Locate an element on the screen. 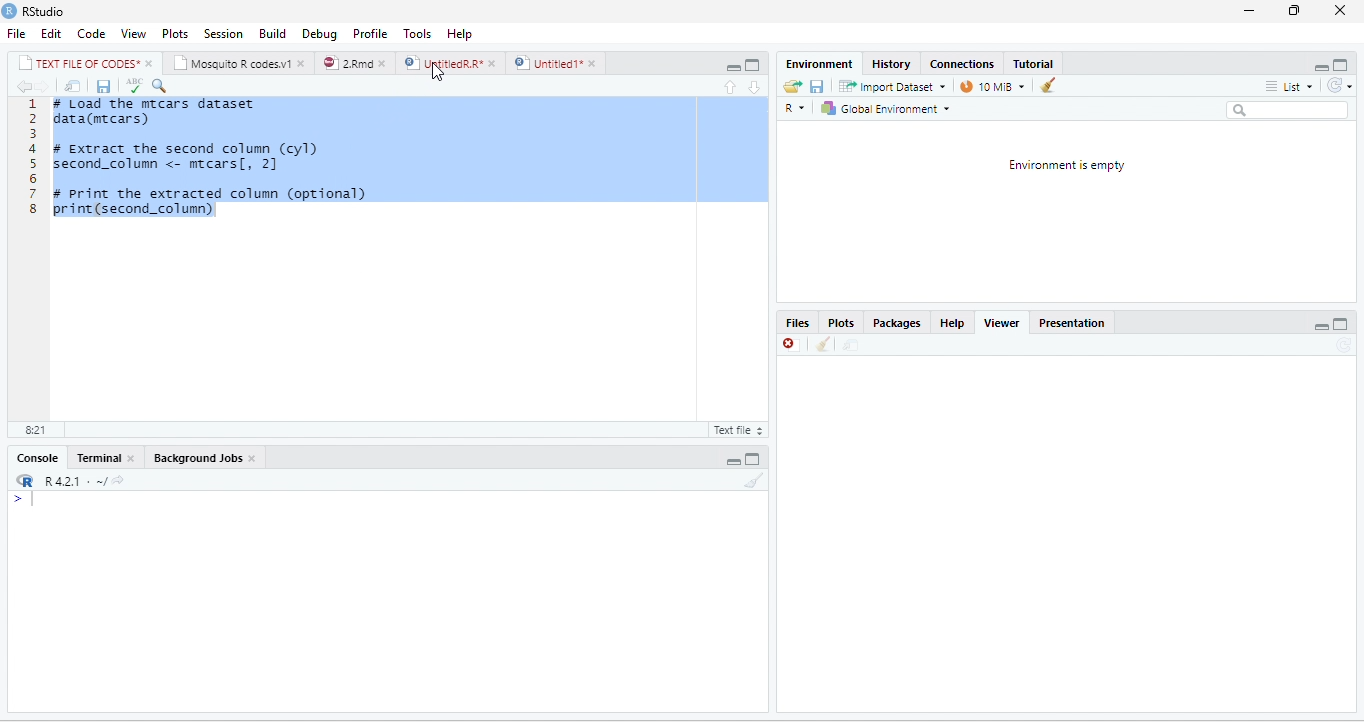 This screenshot has width=1364, height=722. Viewer is located at coordinates (1007, 323).